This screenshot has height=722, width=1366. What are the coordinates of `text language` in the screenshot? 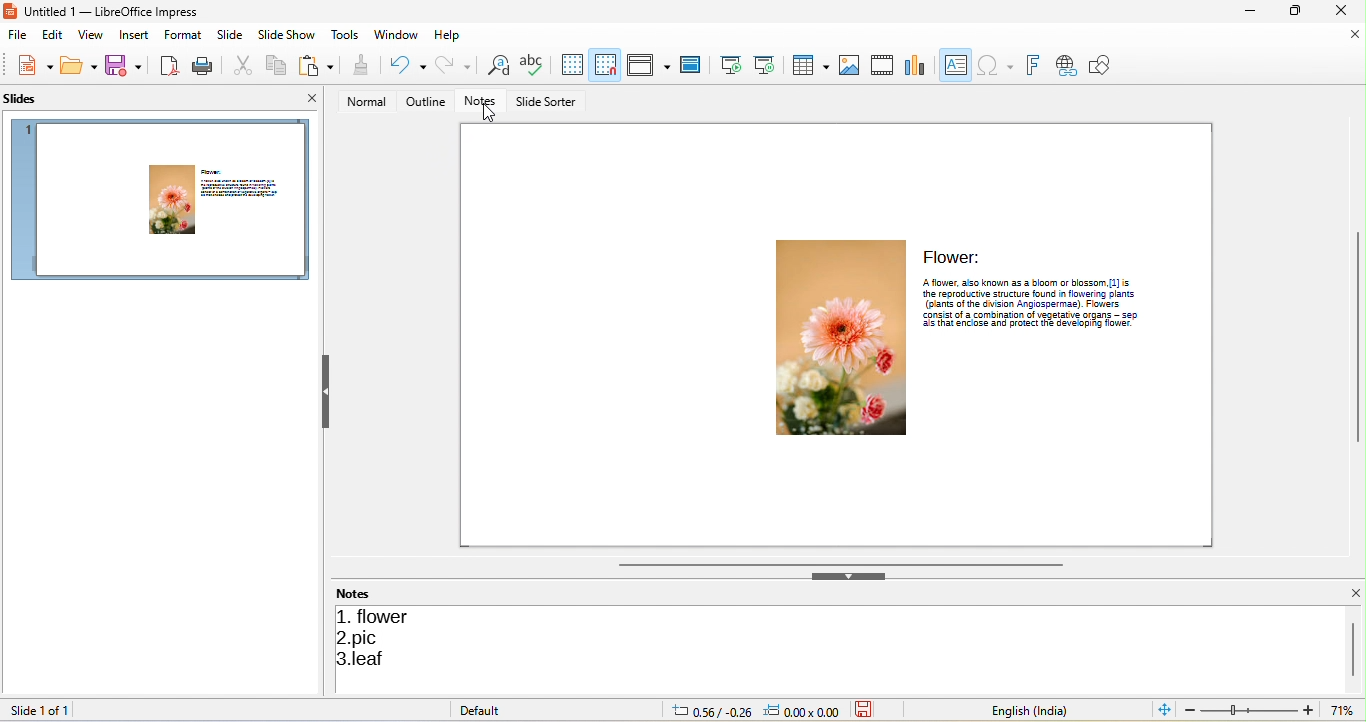 It's located at (1039, 709).